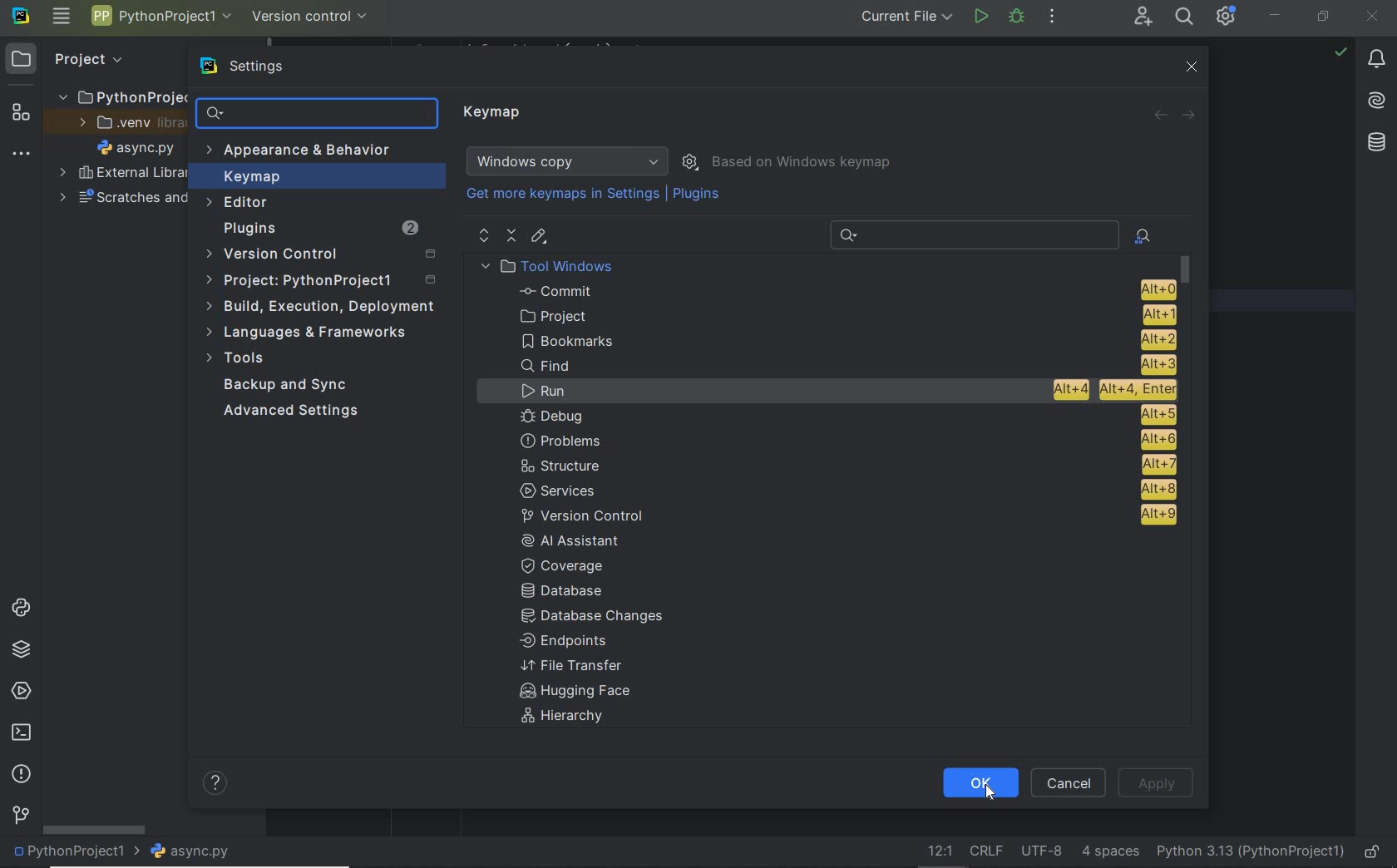  Describe the element at coordinates (18, 692) in the screenshot. I see `services` at that location.